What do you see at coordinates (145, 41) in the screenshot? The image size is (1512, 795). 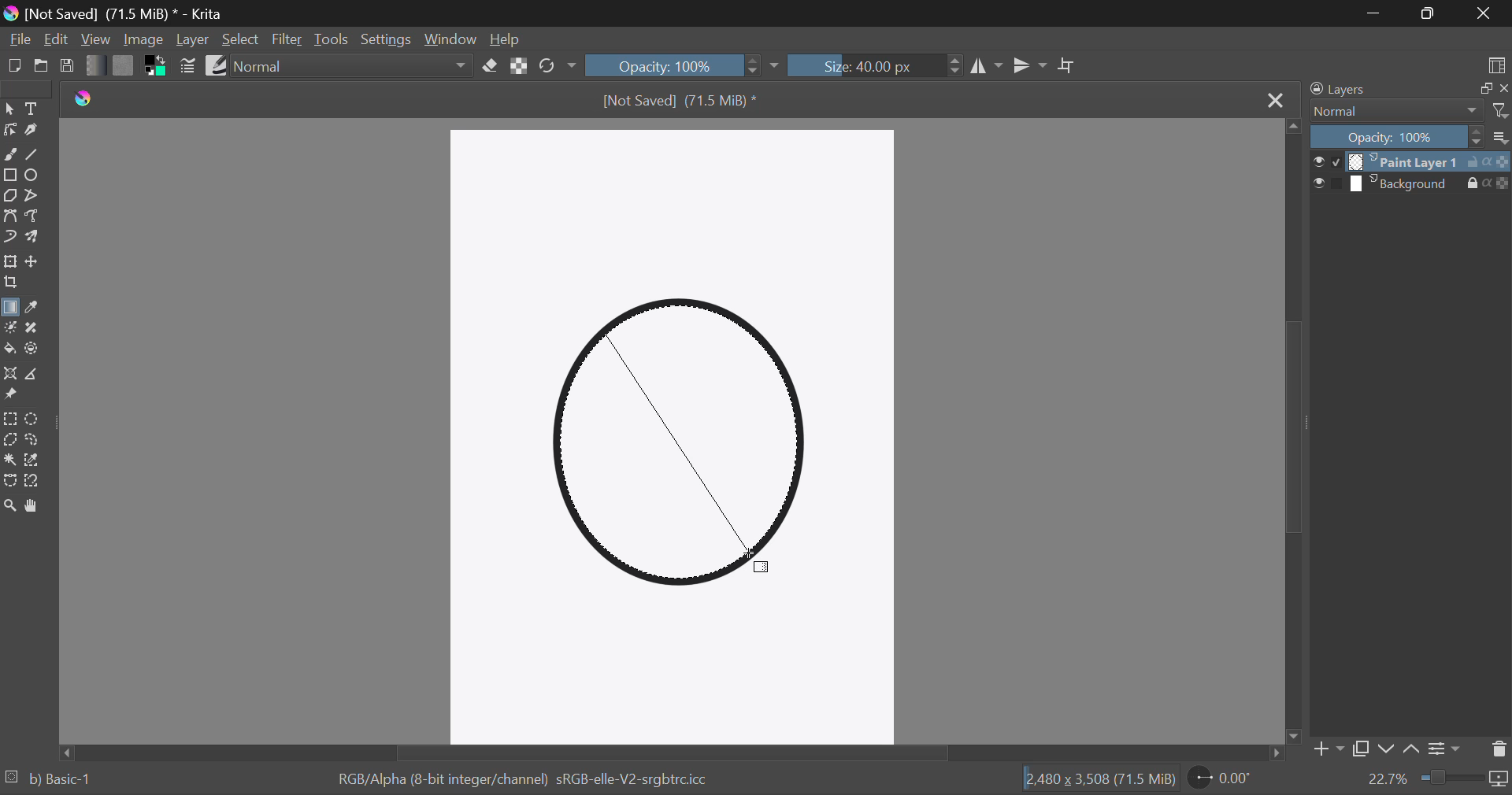 I see `Image` at bounding box center [145, 41].